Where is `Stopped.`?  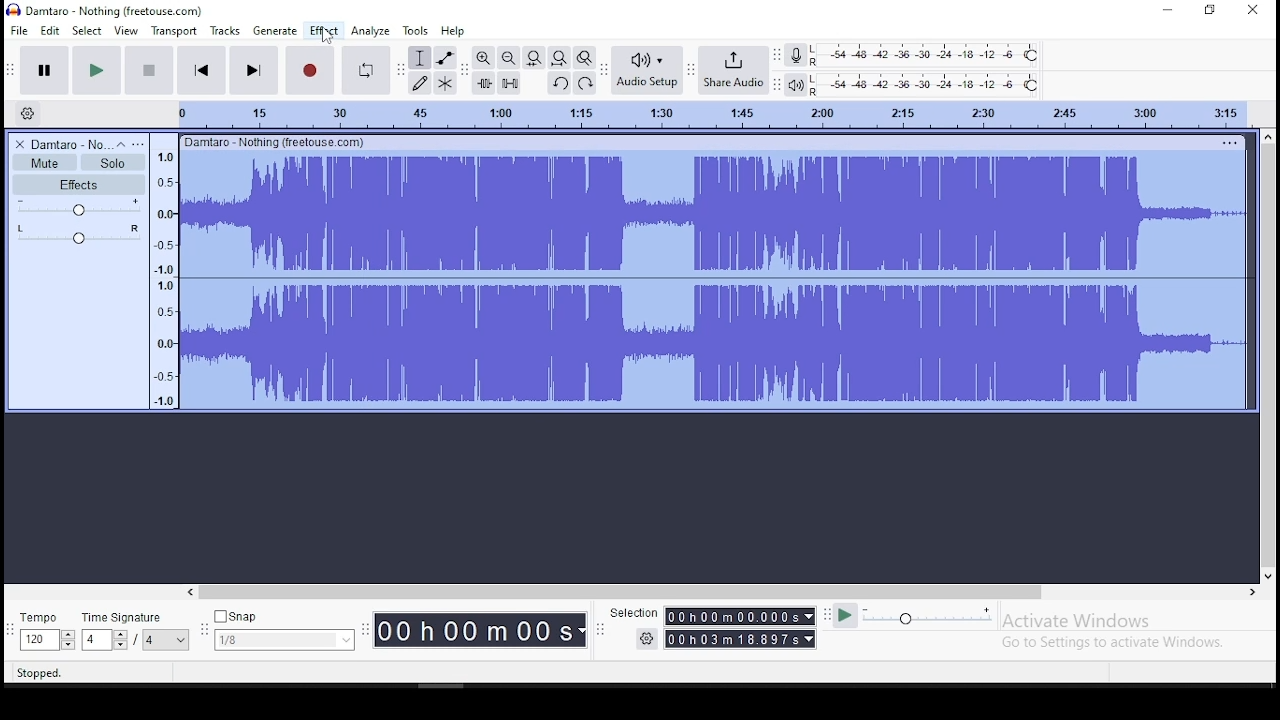
Stopped. is located at coordinates (42, 673).